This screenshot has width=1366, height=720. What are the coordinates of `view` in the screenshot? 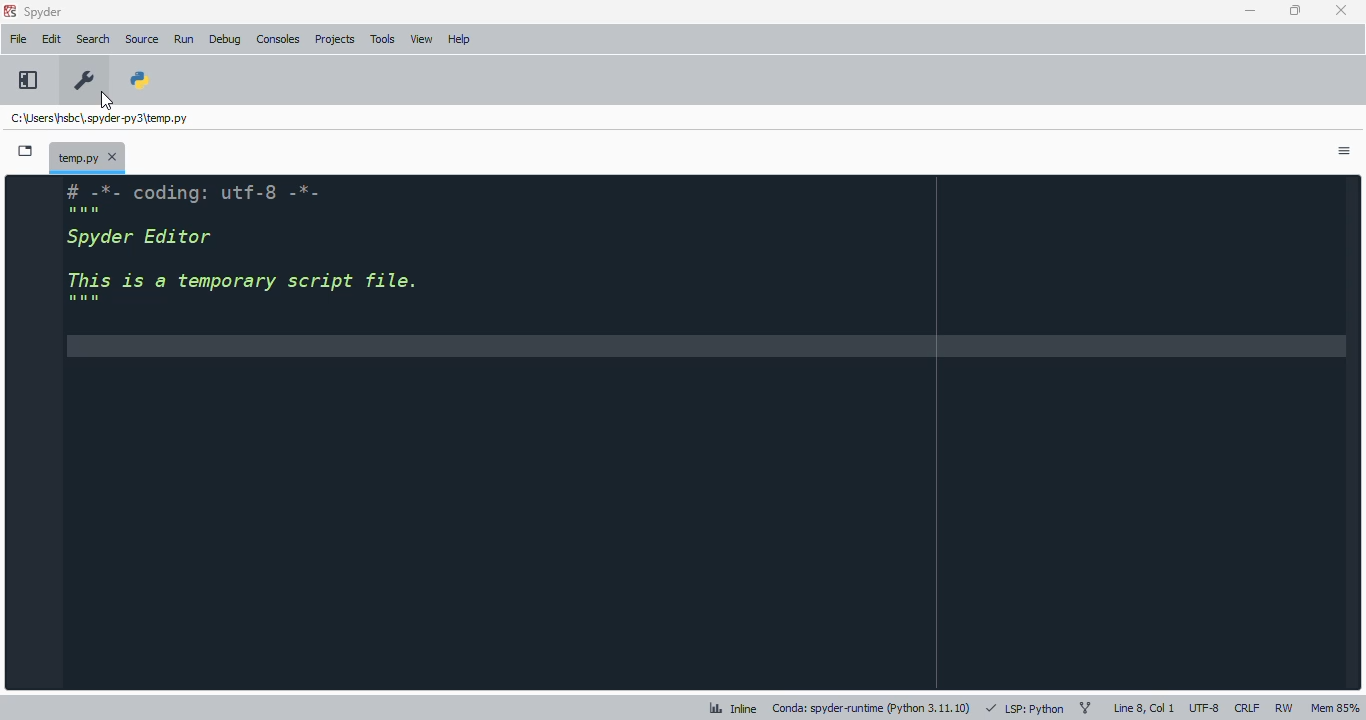 It's located at (421, 39).